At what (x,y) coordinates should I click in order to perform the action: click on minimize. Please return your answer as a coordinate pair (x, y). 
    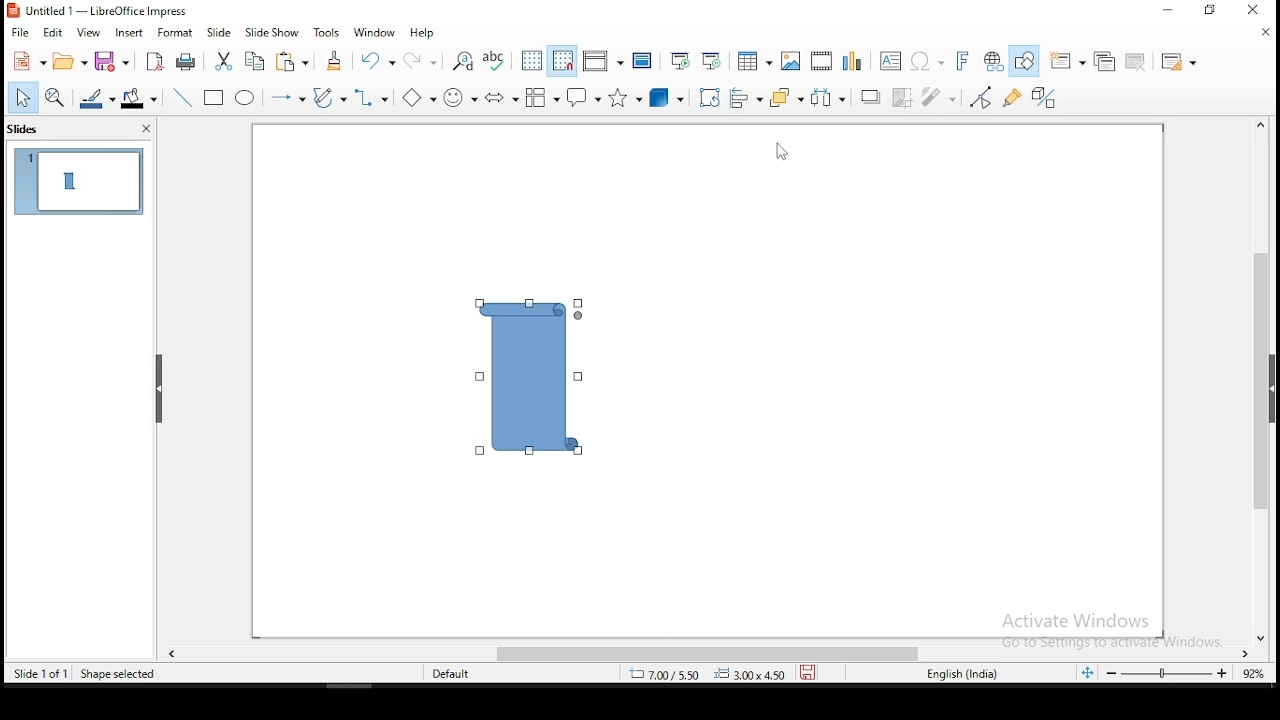
    Looking at the image, I should click on (1164, 13).